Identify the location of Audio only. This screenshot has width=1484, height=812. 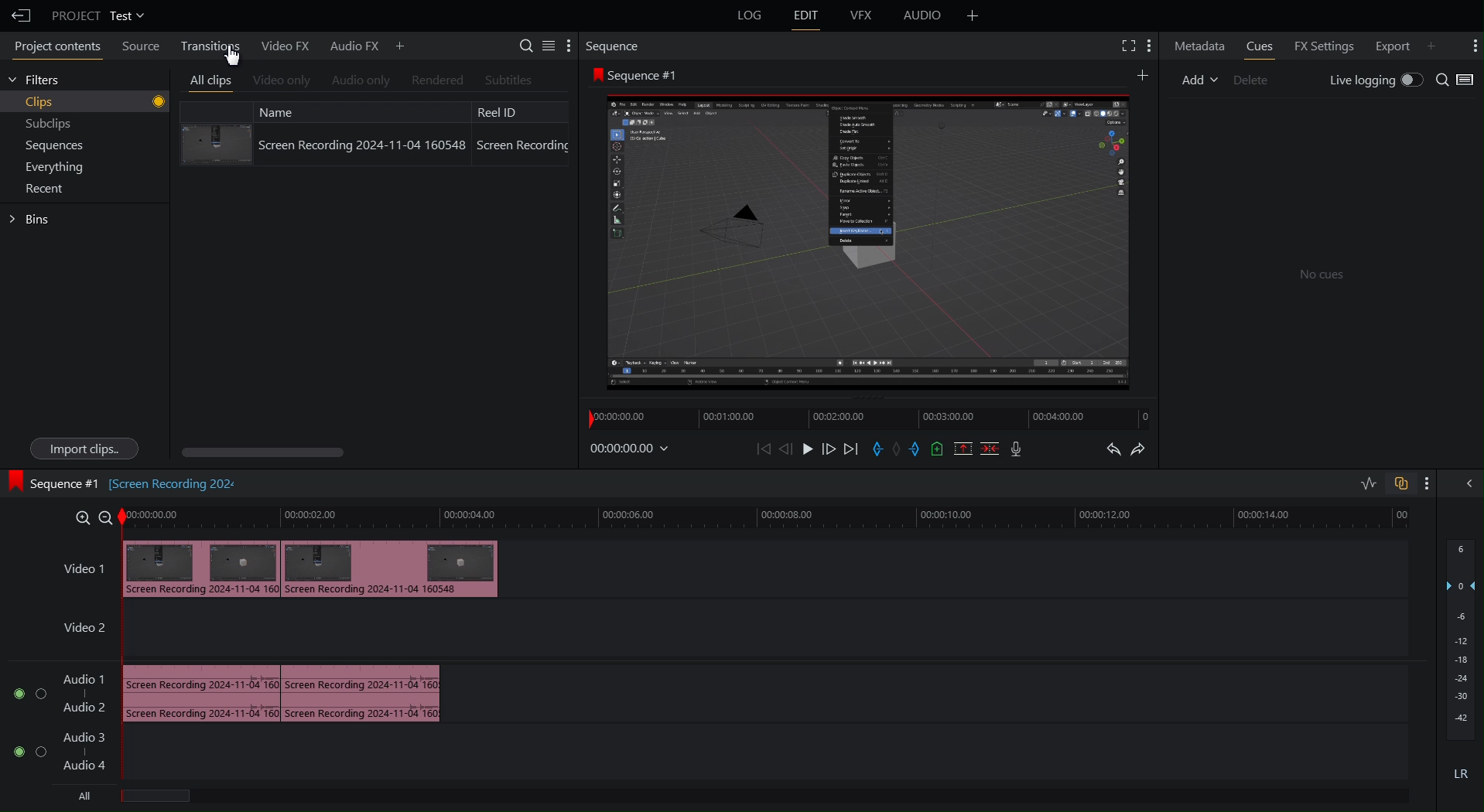
(361, 79).